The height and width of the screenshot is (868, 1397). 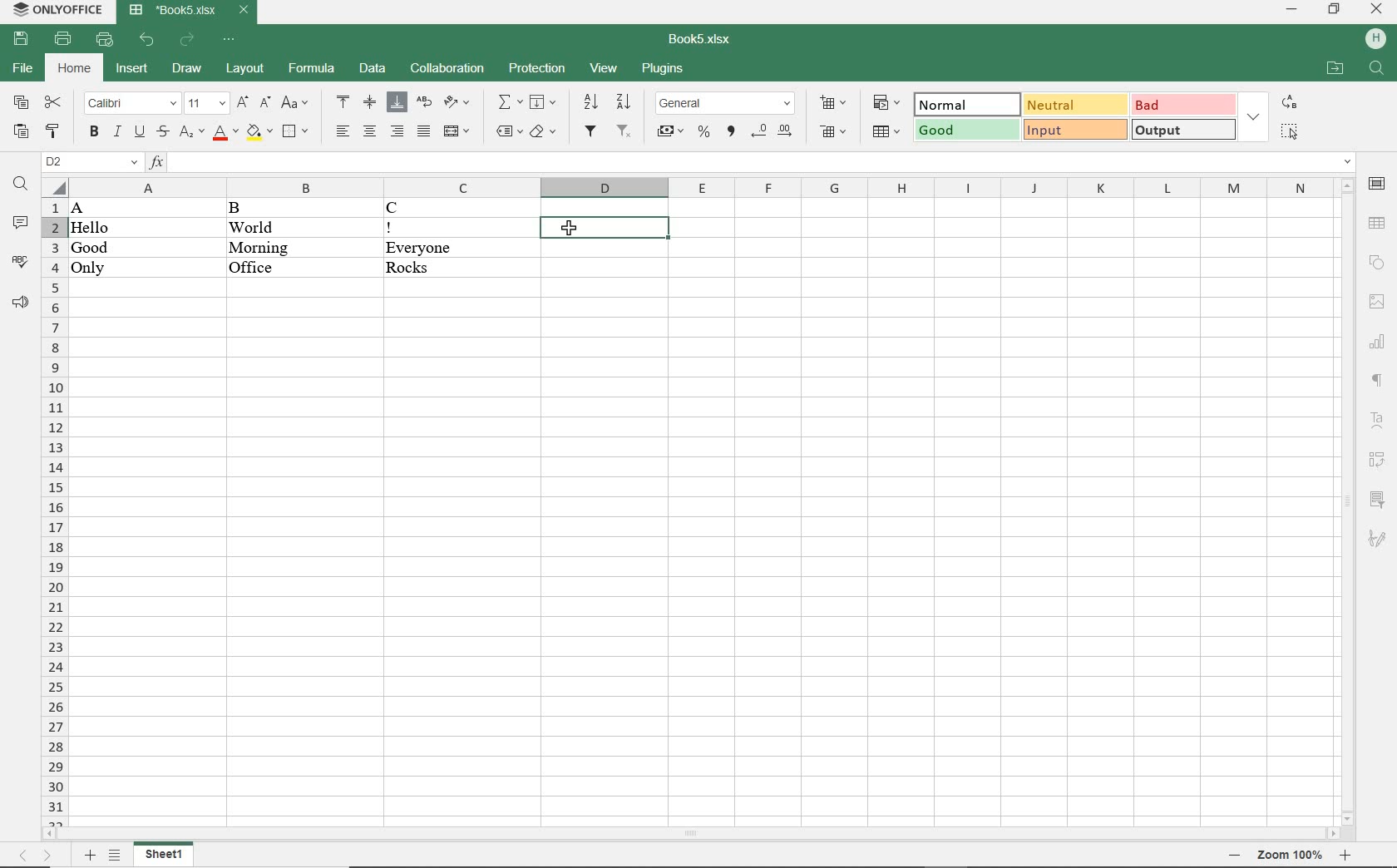 I want to click on FORMULA, so click(x=309, y=70).